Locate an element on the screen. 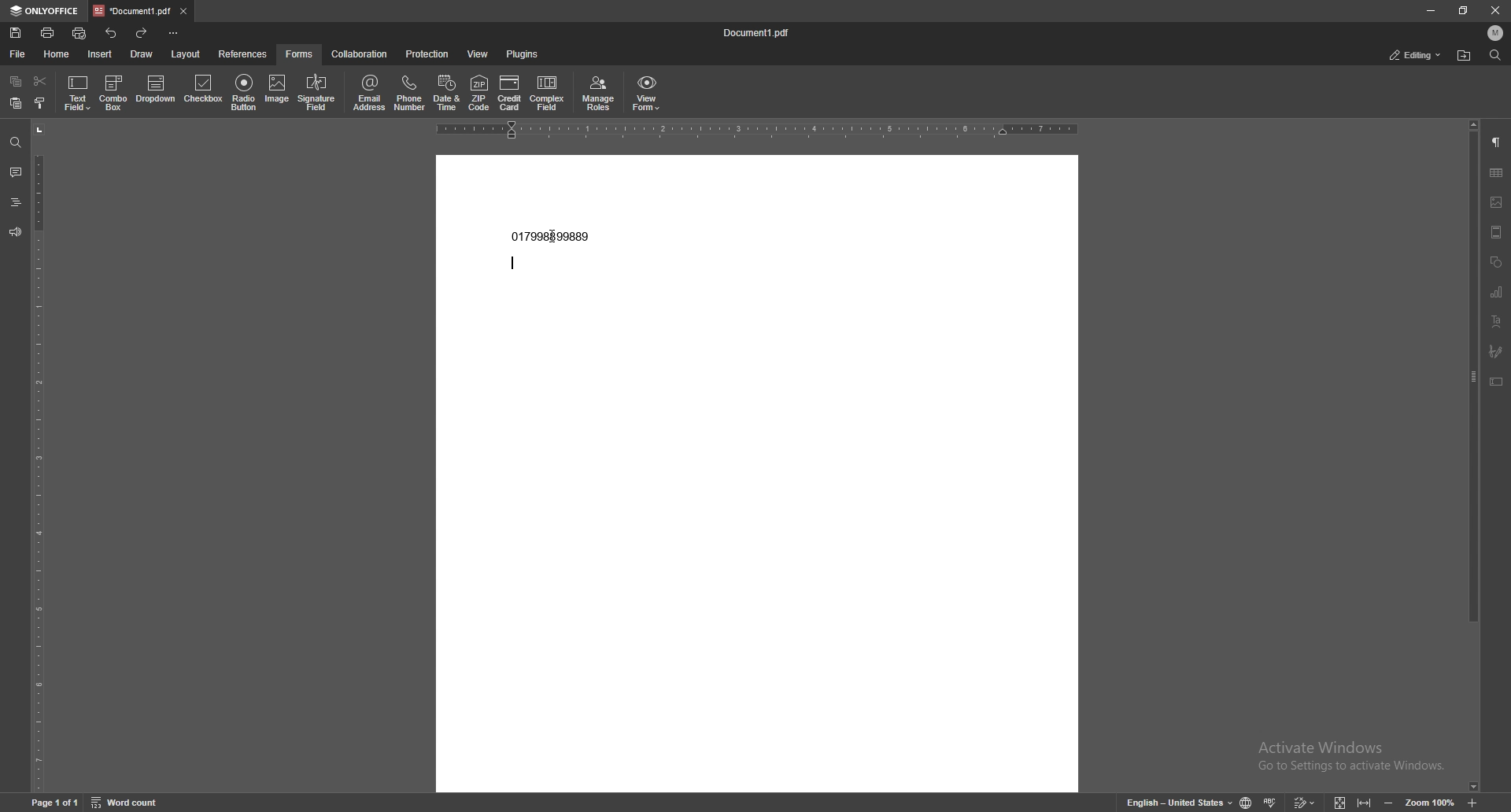  cut is located at coordinates (40, 81).